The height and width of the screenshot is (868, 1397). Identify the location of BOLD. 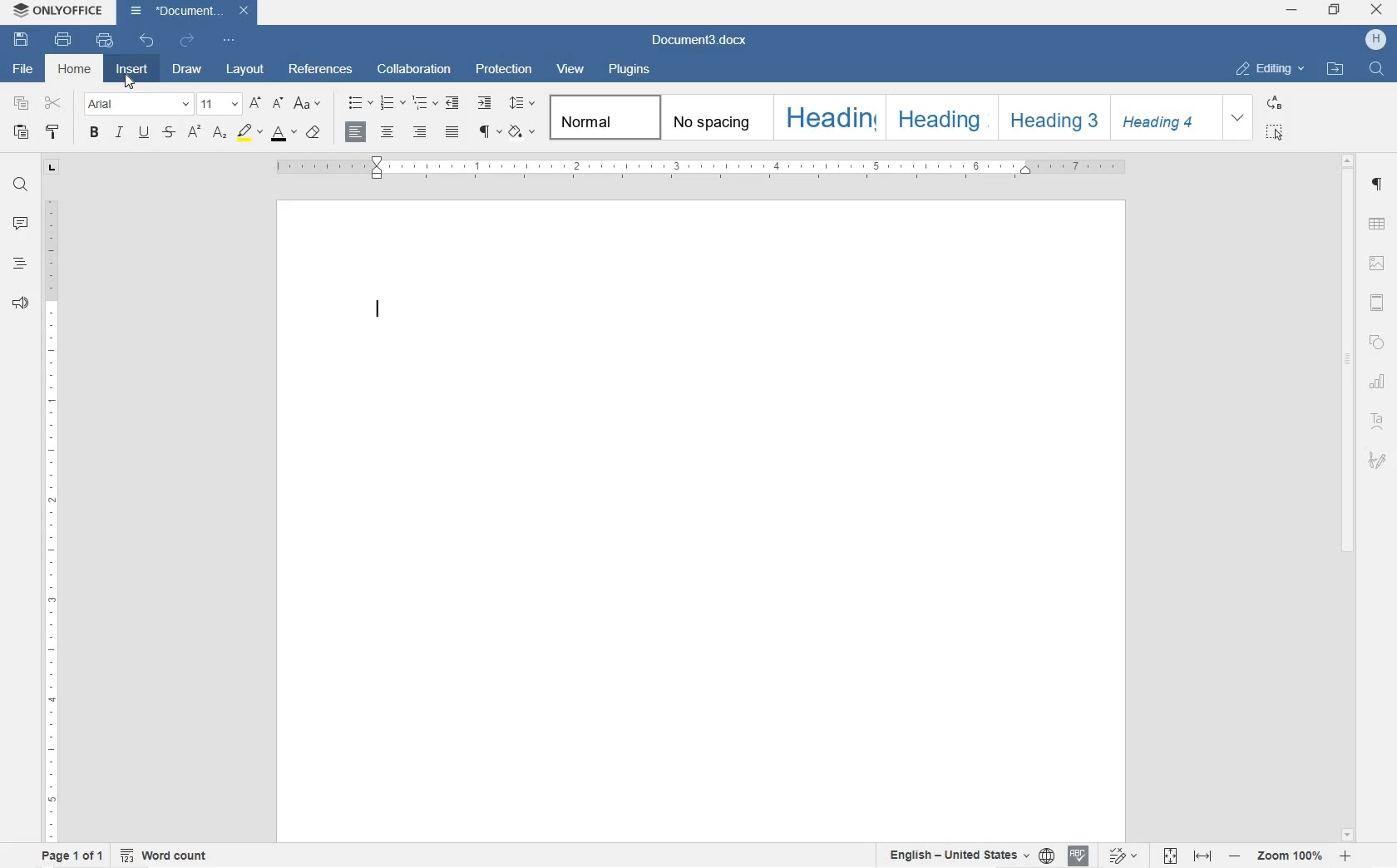
(95, 133).